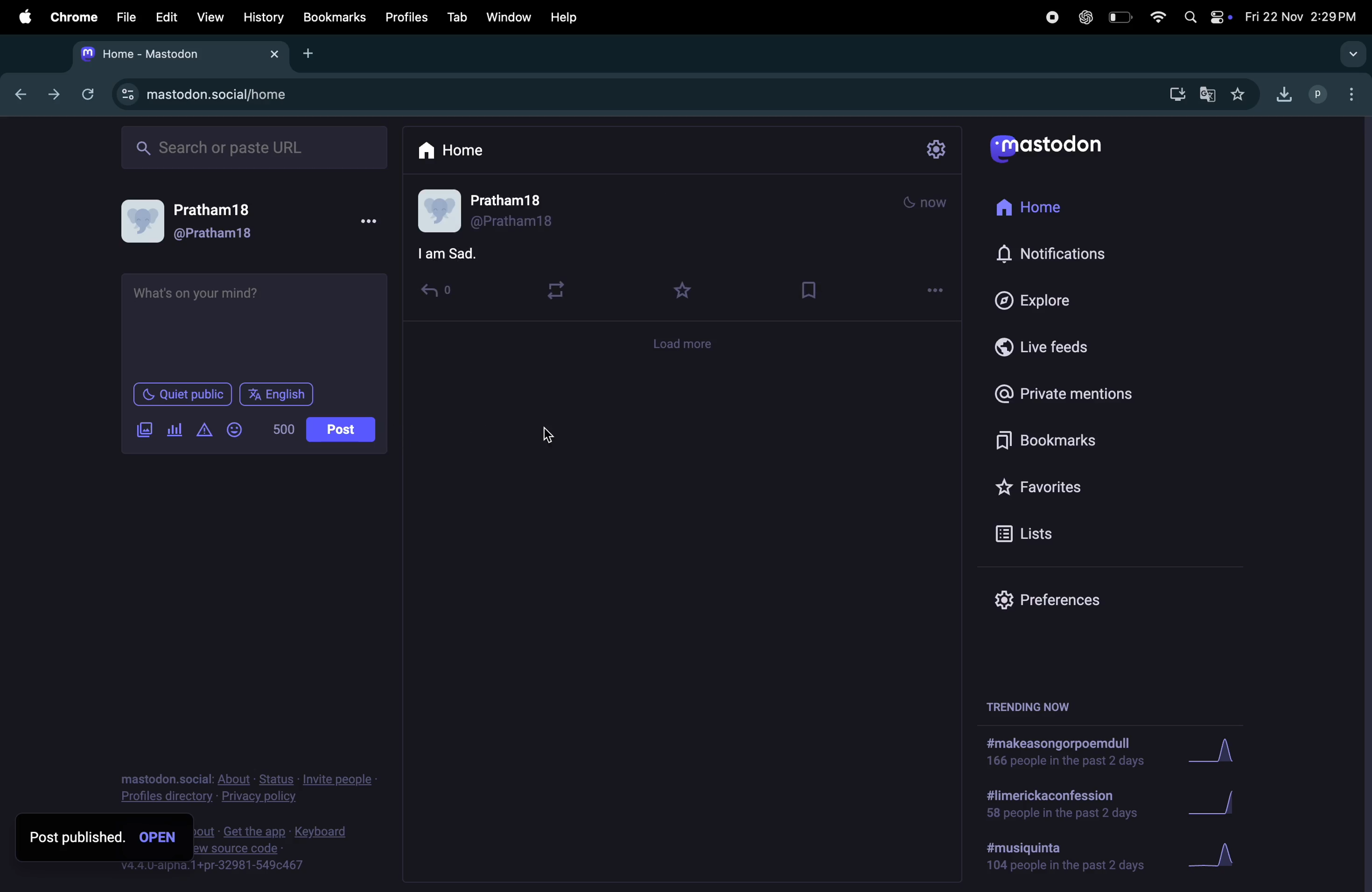  Describe the element at coordinates (1223, 750) in the screenshot. I see `graph` at that location.